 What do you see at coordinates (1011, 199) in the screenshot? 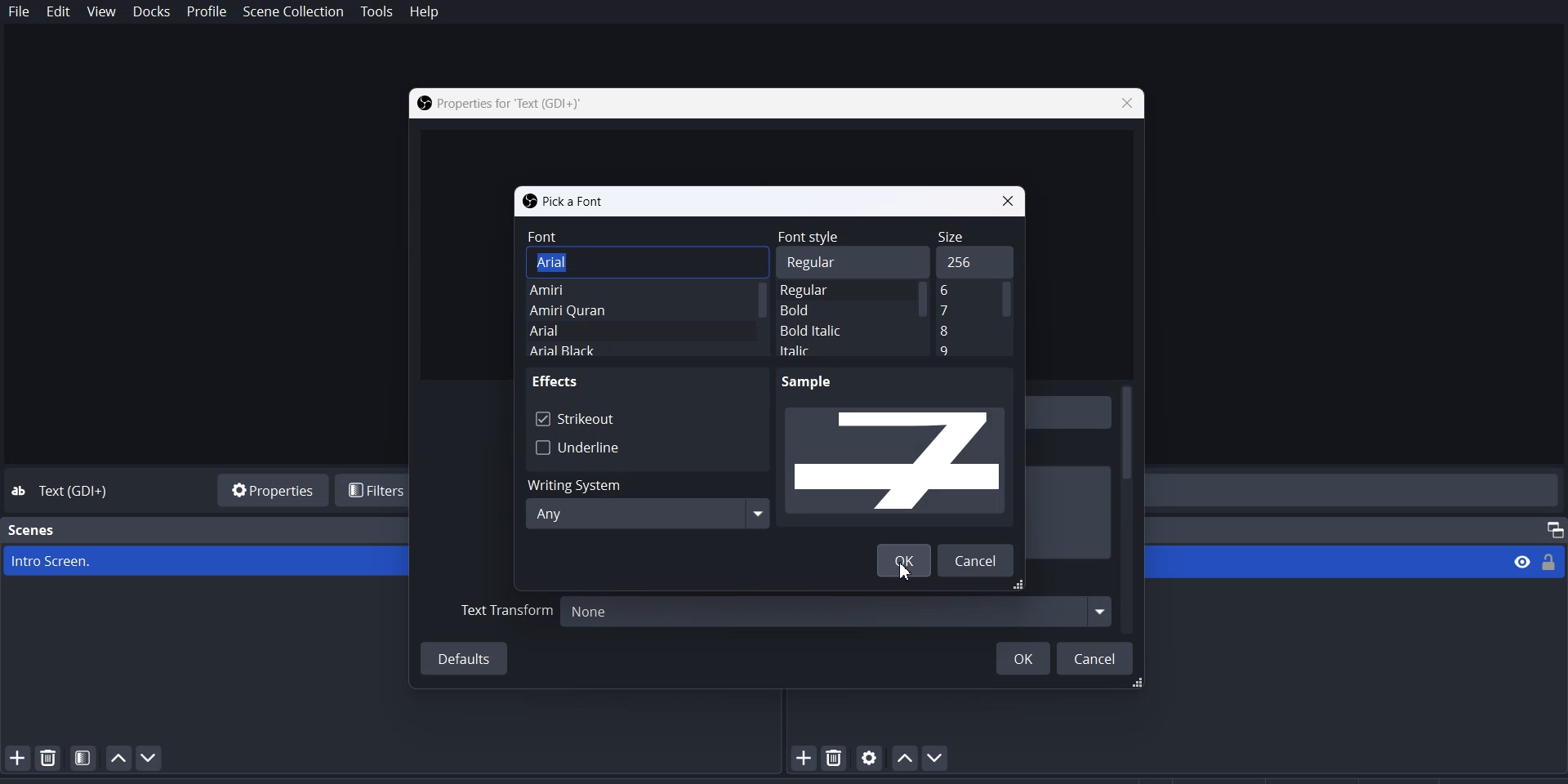
I see `Close` at bounding box center [1011, 199].